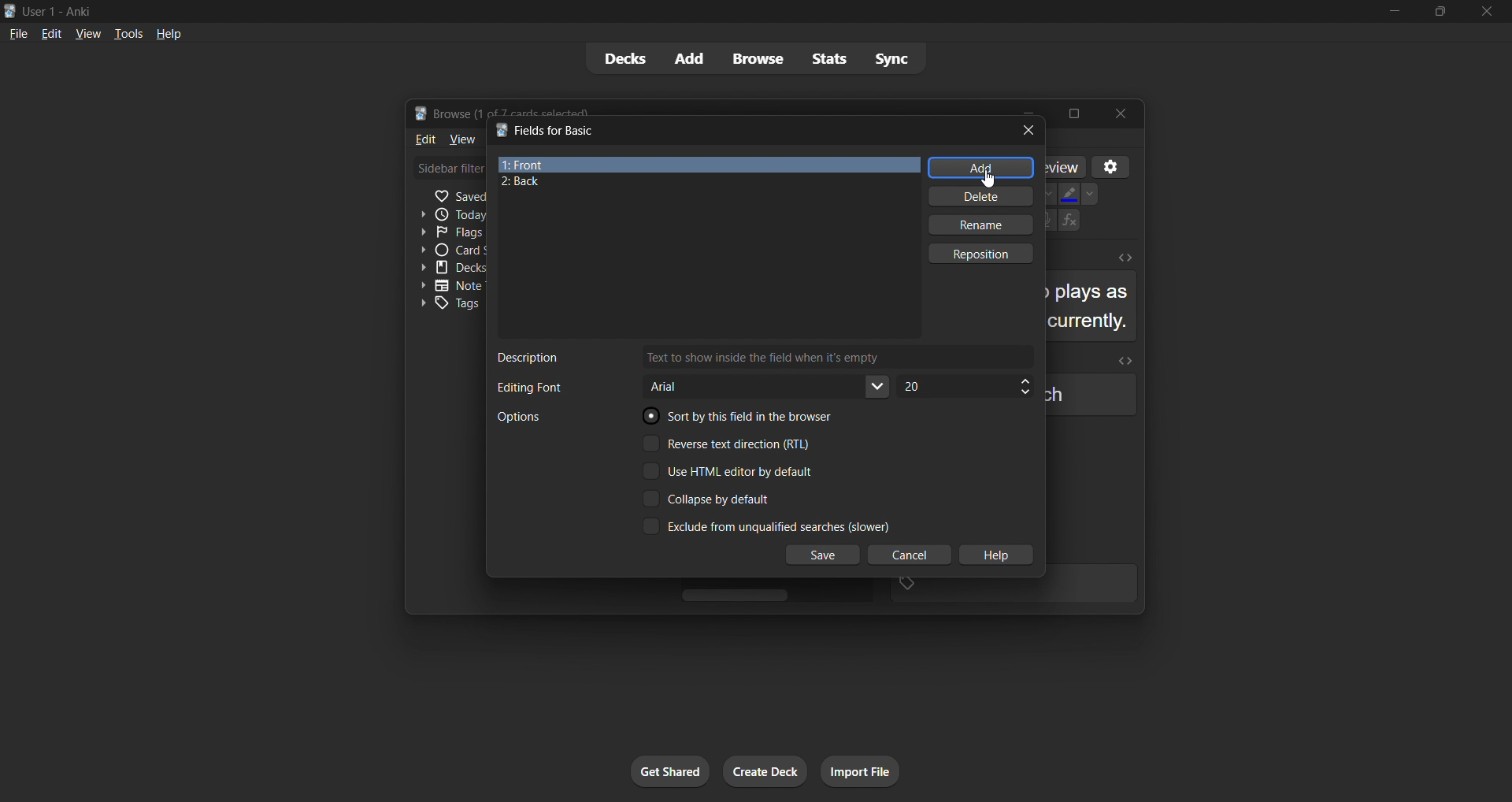 The height and width of the screenshot is (802, 1512). Describe the element at coordinates (823, 555) in the screenshot. I see `save` at that location.